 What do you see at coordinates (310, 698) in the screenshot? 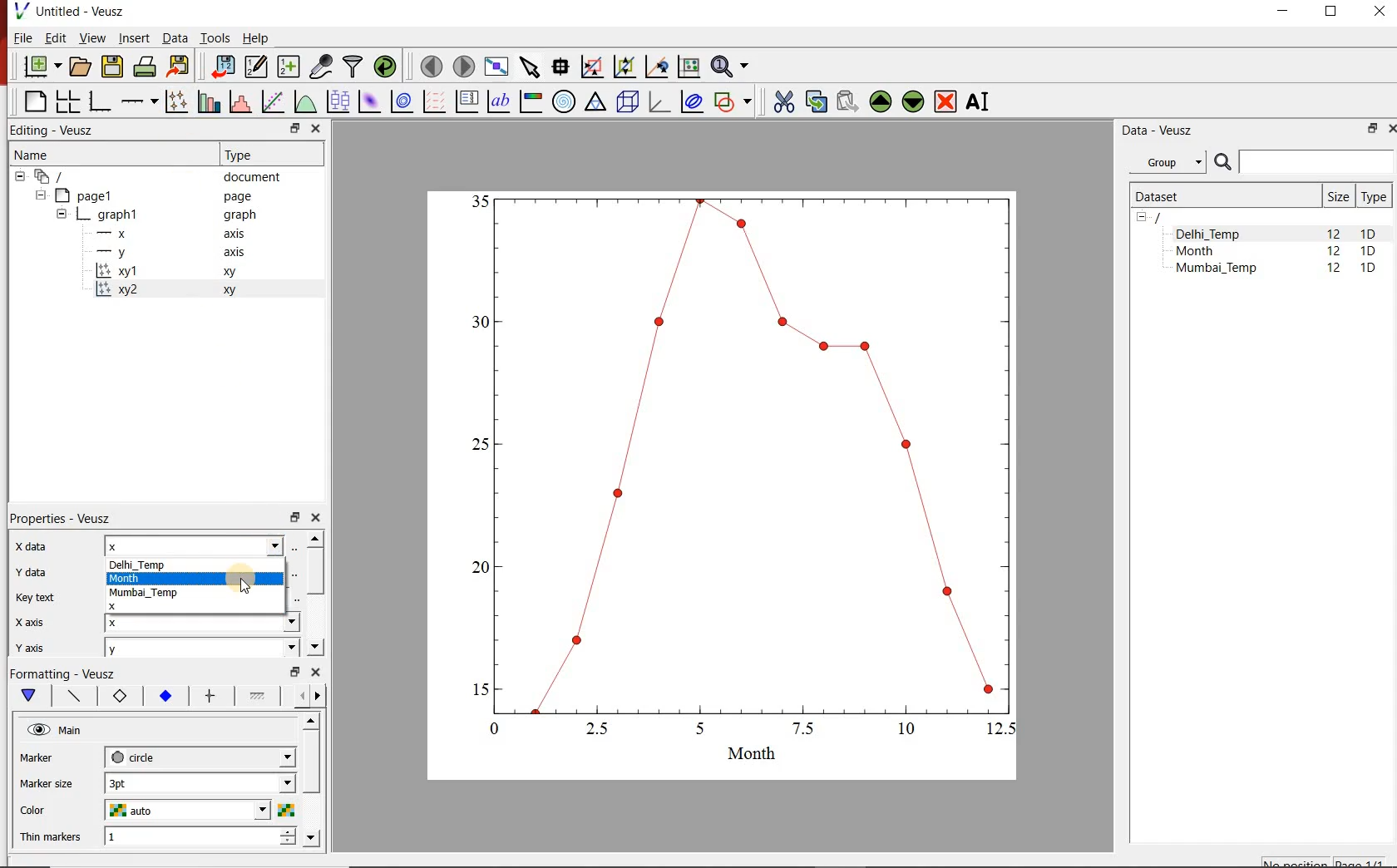
I see `Grid lines` at bounding box center [310, 698].